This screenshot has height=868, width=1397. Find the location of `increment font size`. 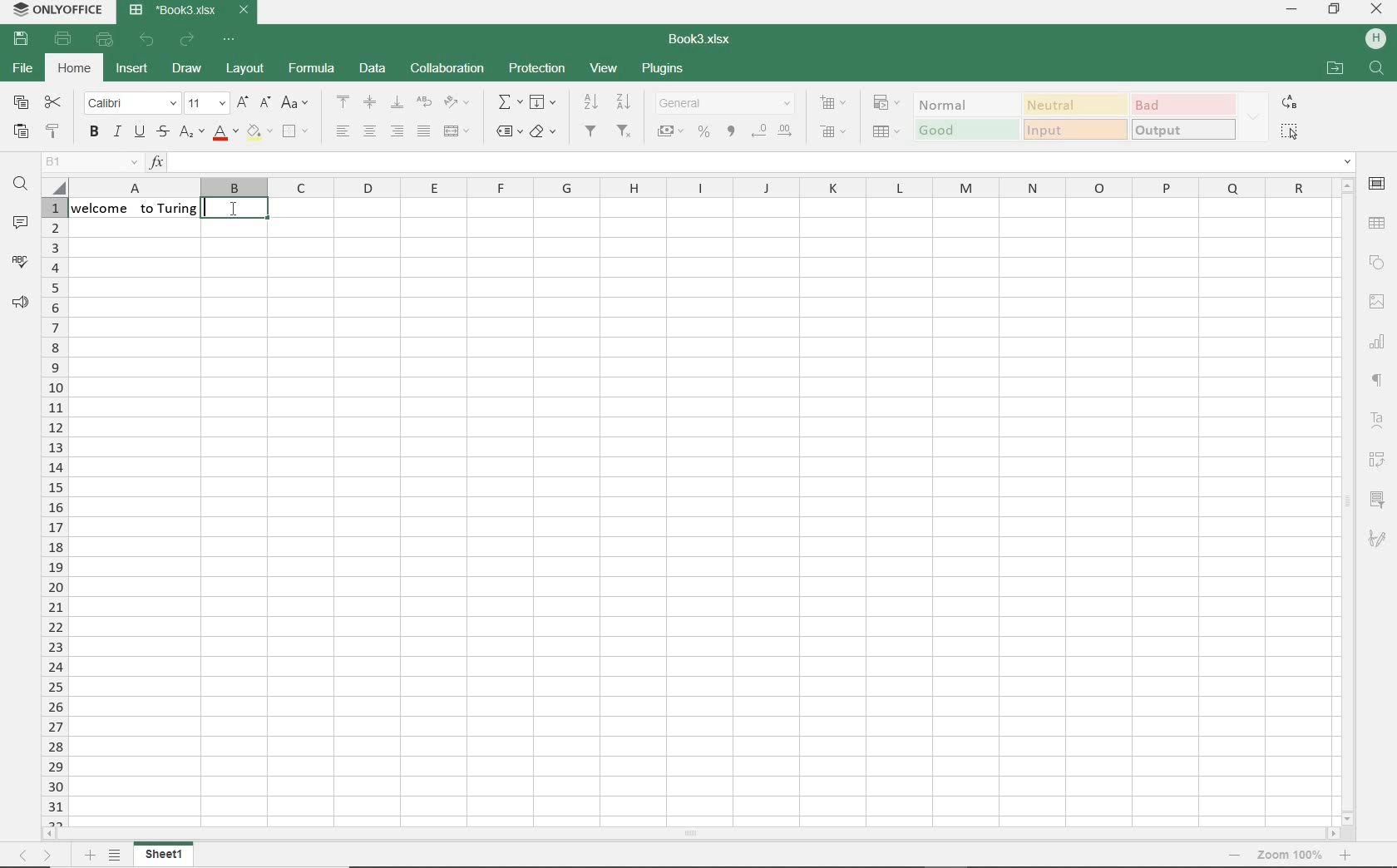

increment font size is located at coordinates (242, 104).